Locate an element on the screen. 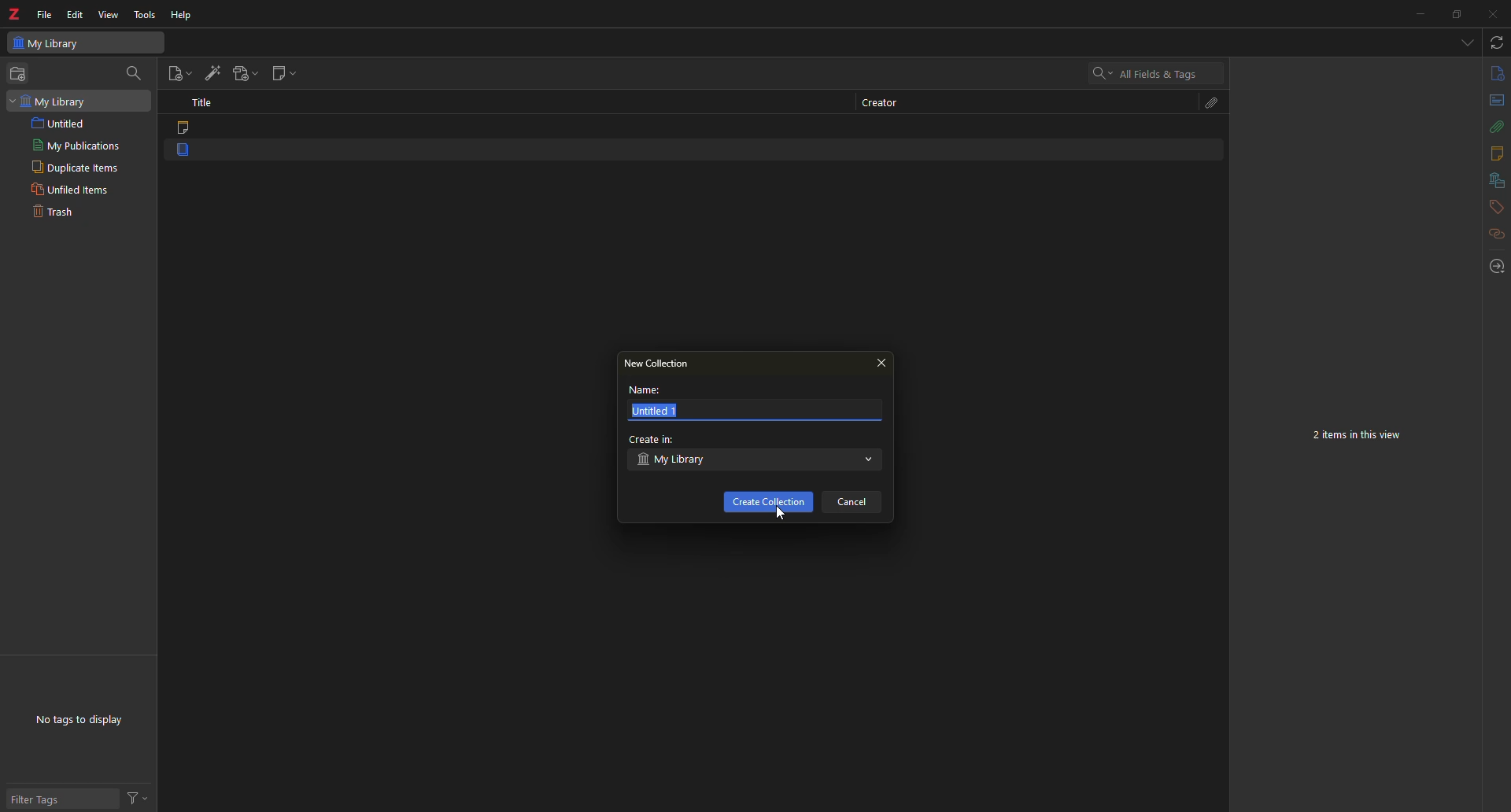 The height and width of the screenshot is (812, 1511). my library is located at coordinates (50, 43).